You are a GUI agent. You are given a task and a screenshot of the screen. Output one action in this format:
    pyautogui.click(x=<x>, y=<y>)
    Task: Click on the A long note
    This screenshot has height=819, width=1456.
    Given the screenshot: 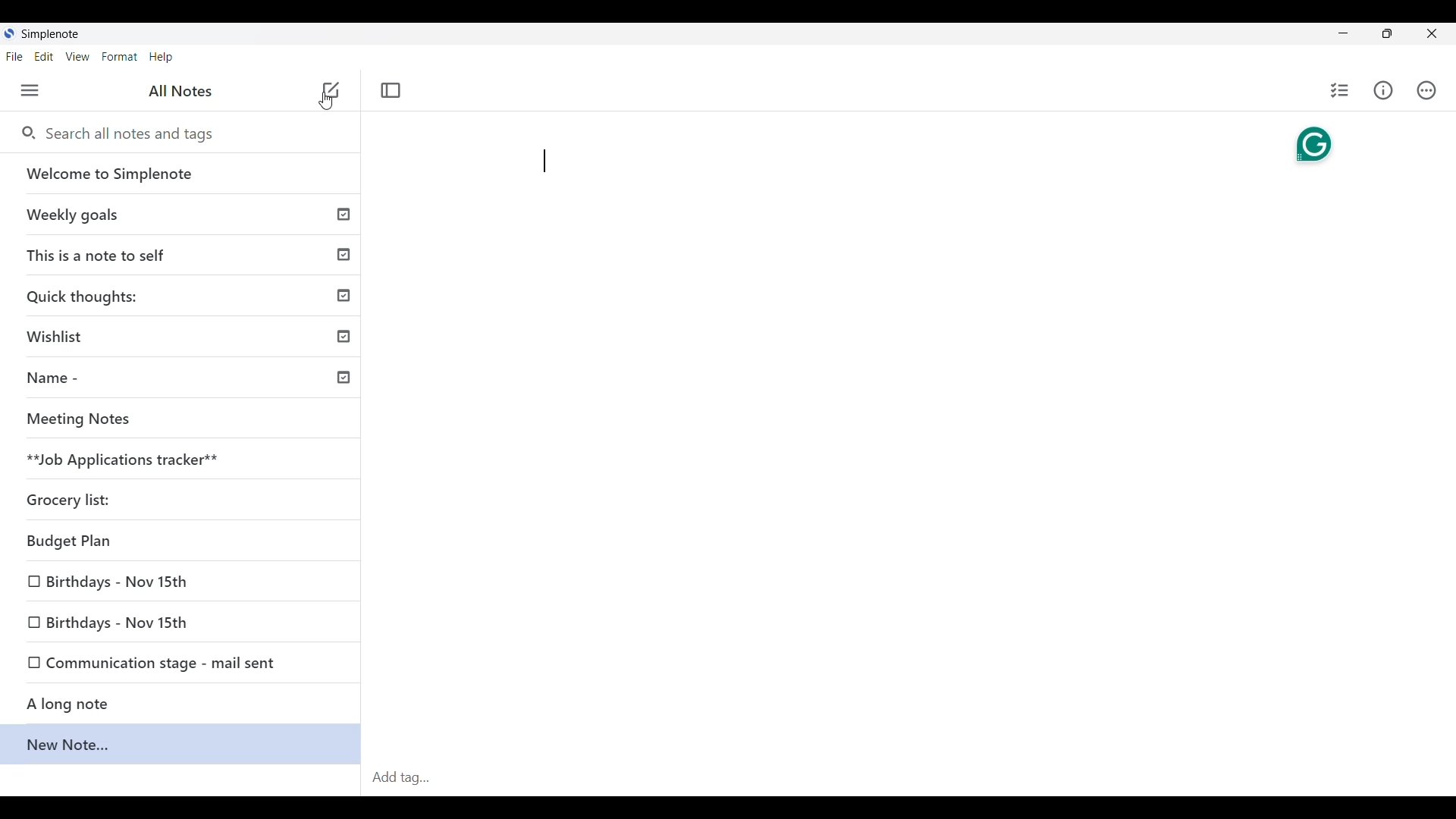 What is the action you would take?
    pyautogui.click(x=180, y=703)
    